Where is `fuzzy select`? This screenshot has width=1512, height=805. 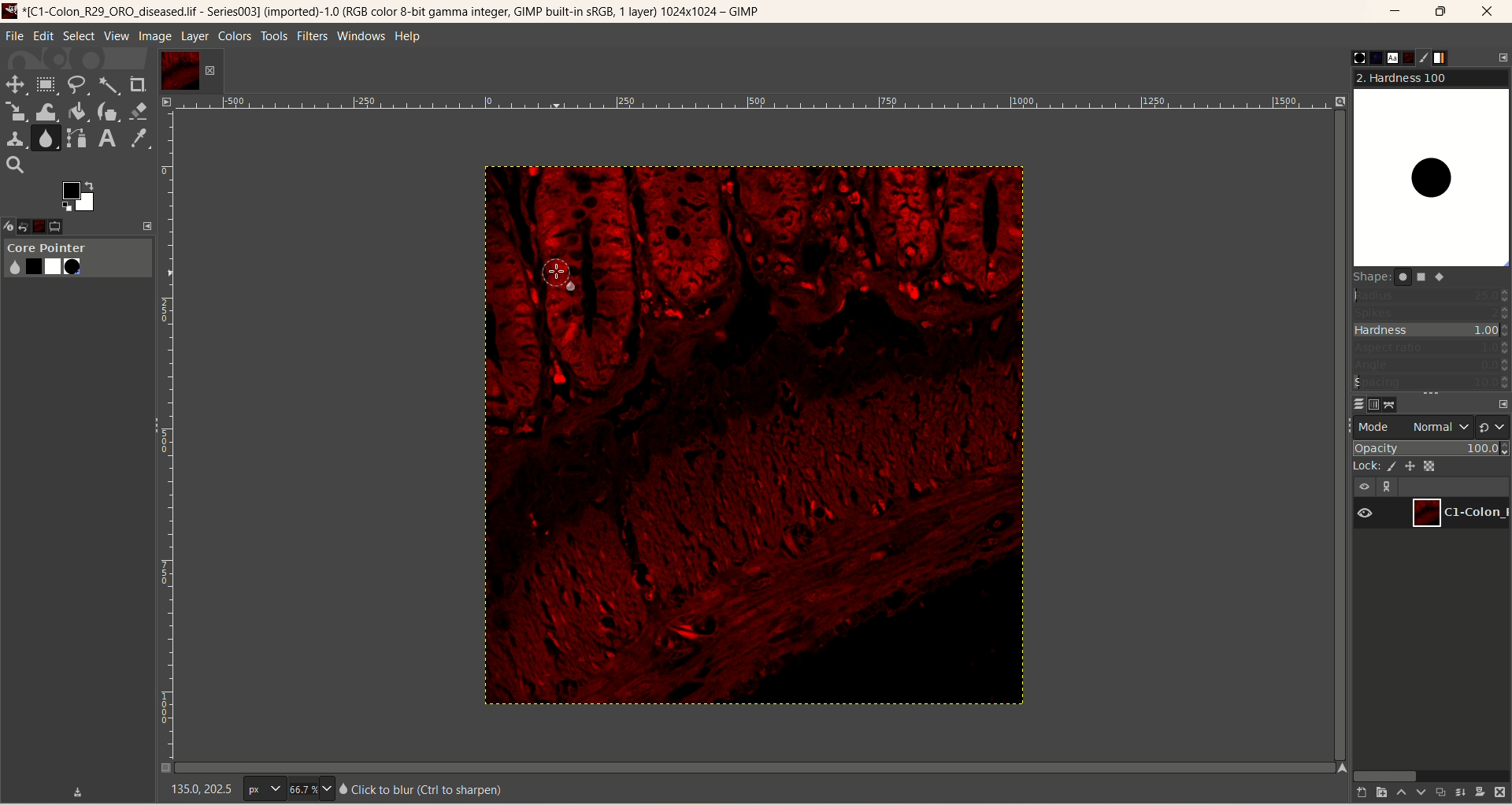
fuzzy select is located at coordinates (107, 87).